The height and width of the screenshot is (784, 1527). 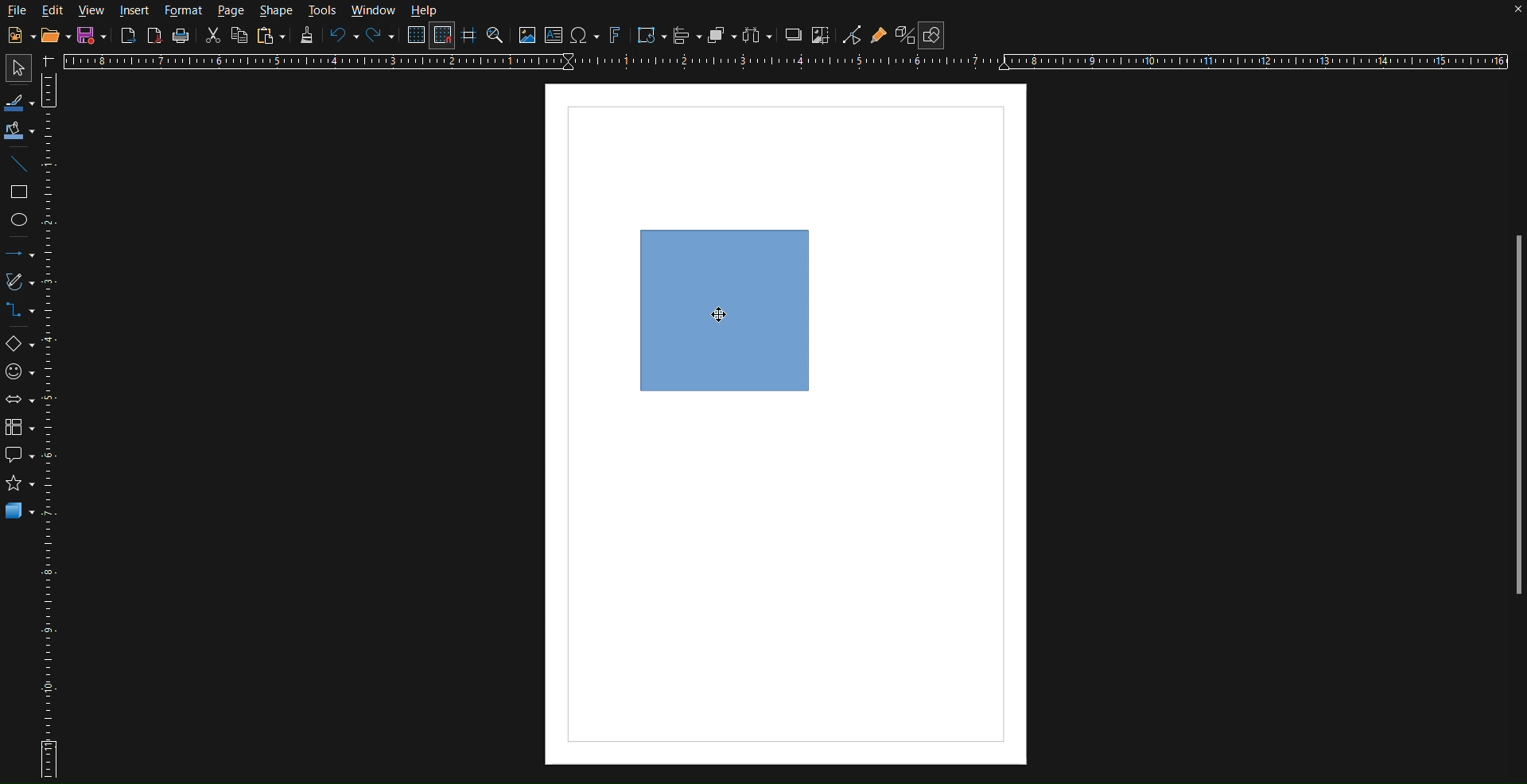 I want to click on Symbol Shapes, so click(x=19, y=371).